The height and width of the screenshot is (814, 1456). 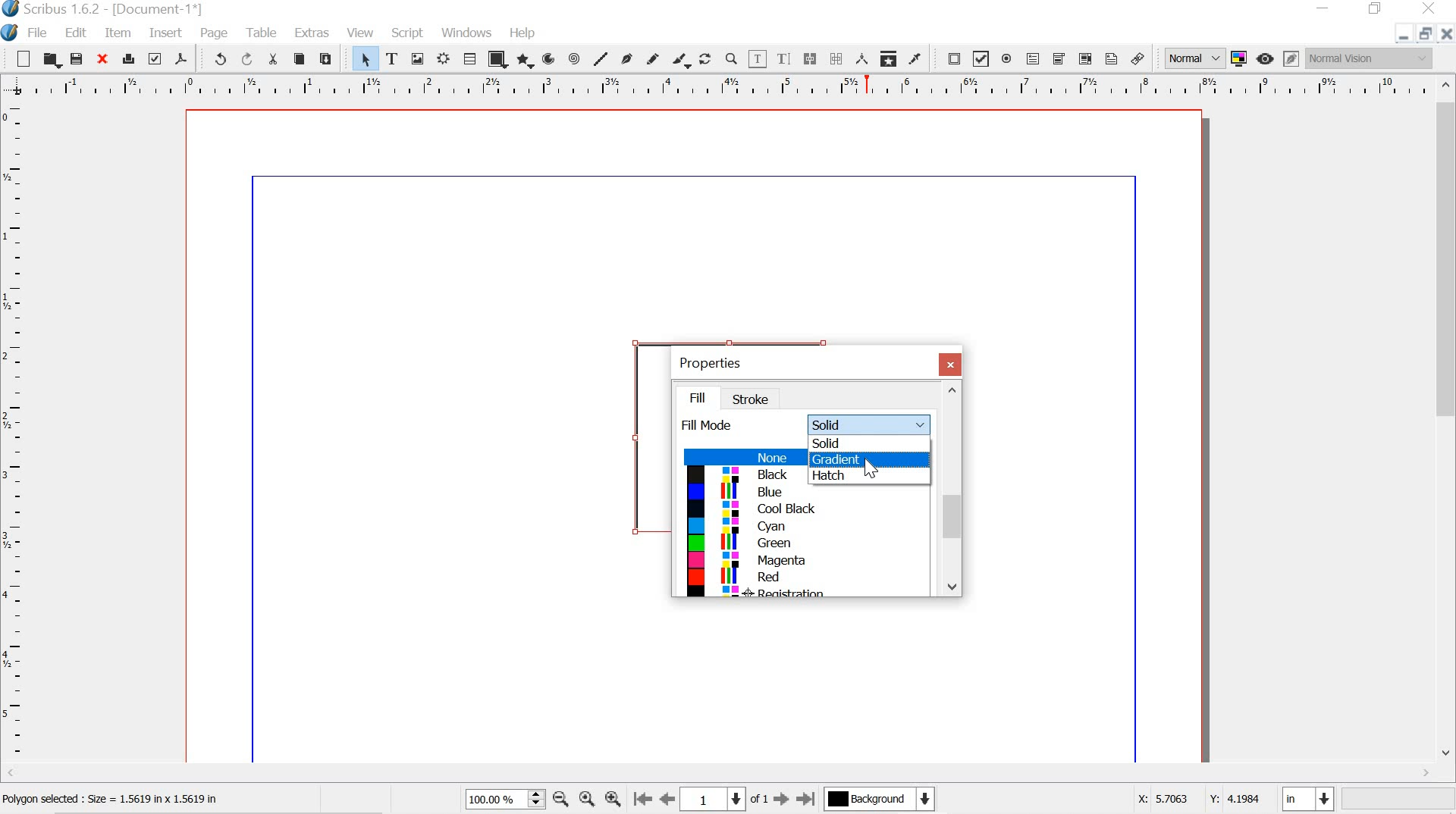 What do you see at coordinates (249, 59) in the screenshot?
I see `redo` at bounding box center [249, 59].